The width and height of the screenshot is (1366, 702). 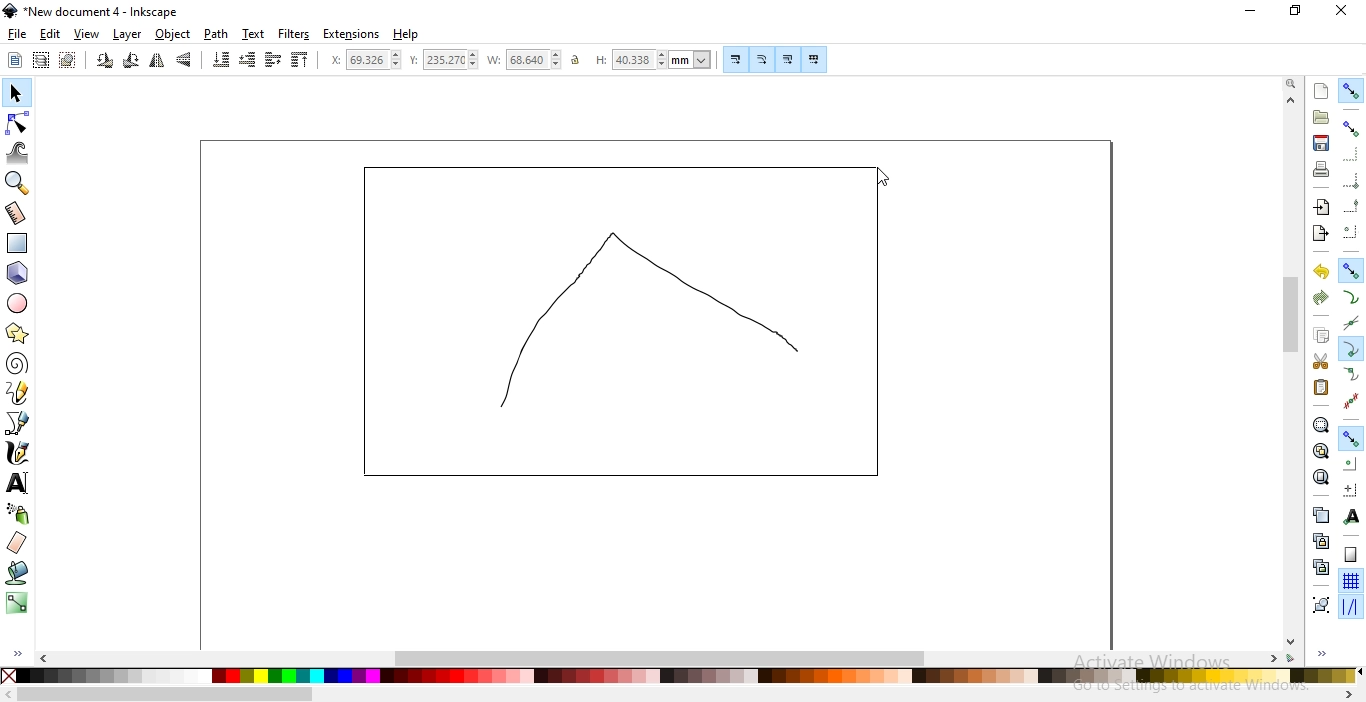 What do you see at coordinates (1320, 333) in the screenshot?
I see `copy` at bounding box center [1320, 333].